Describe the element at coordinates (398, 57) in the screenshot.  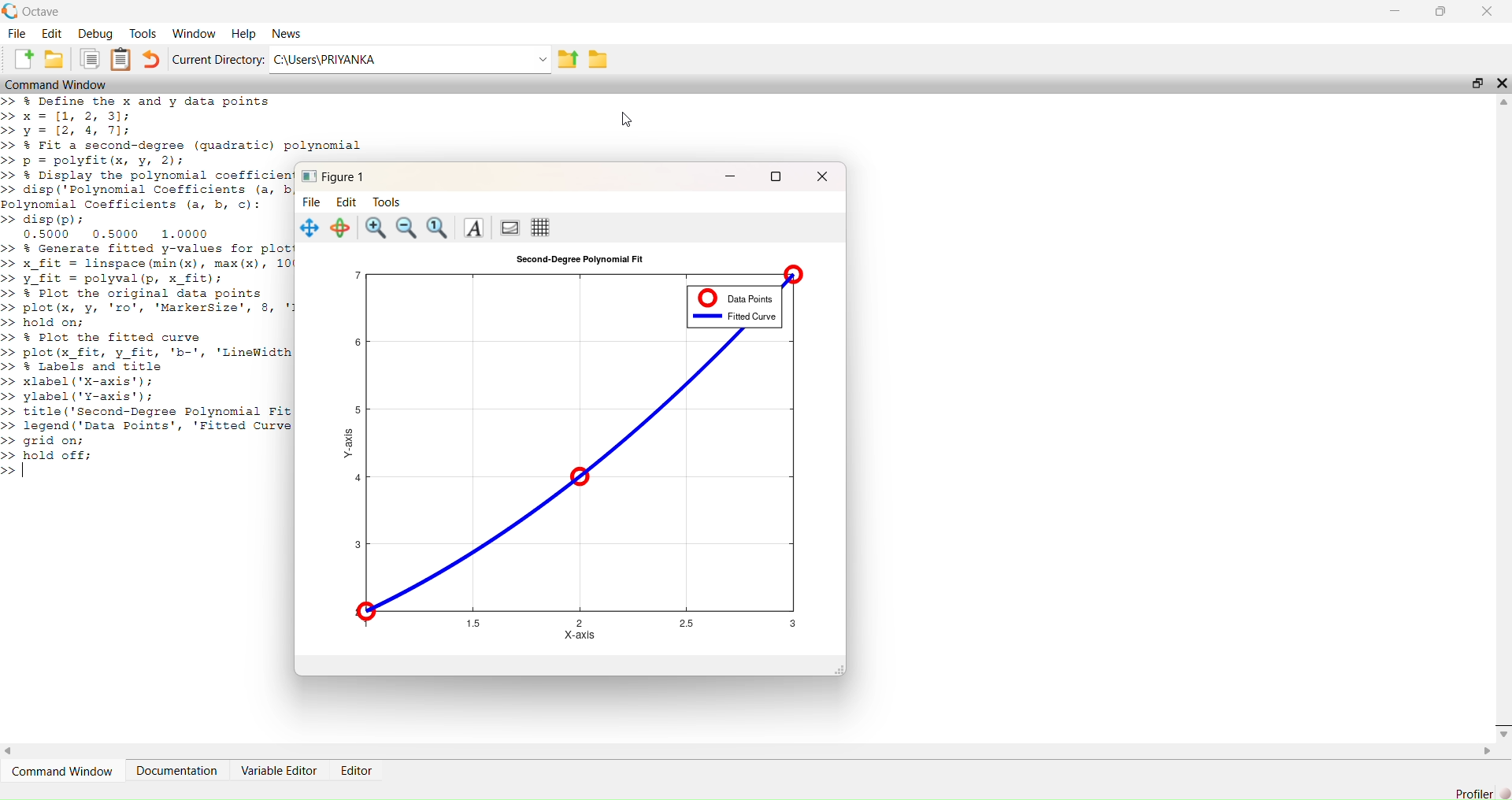
I see `C:/Users/PRIYANKA` at that location.